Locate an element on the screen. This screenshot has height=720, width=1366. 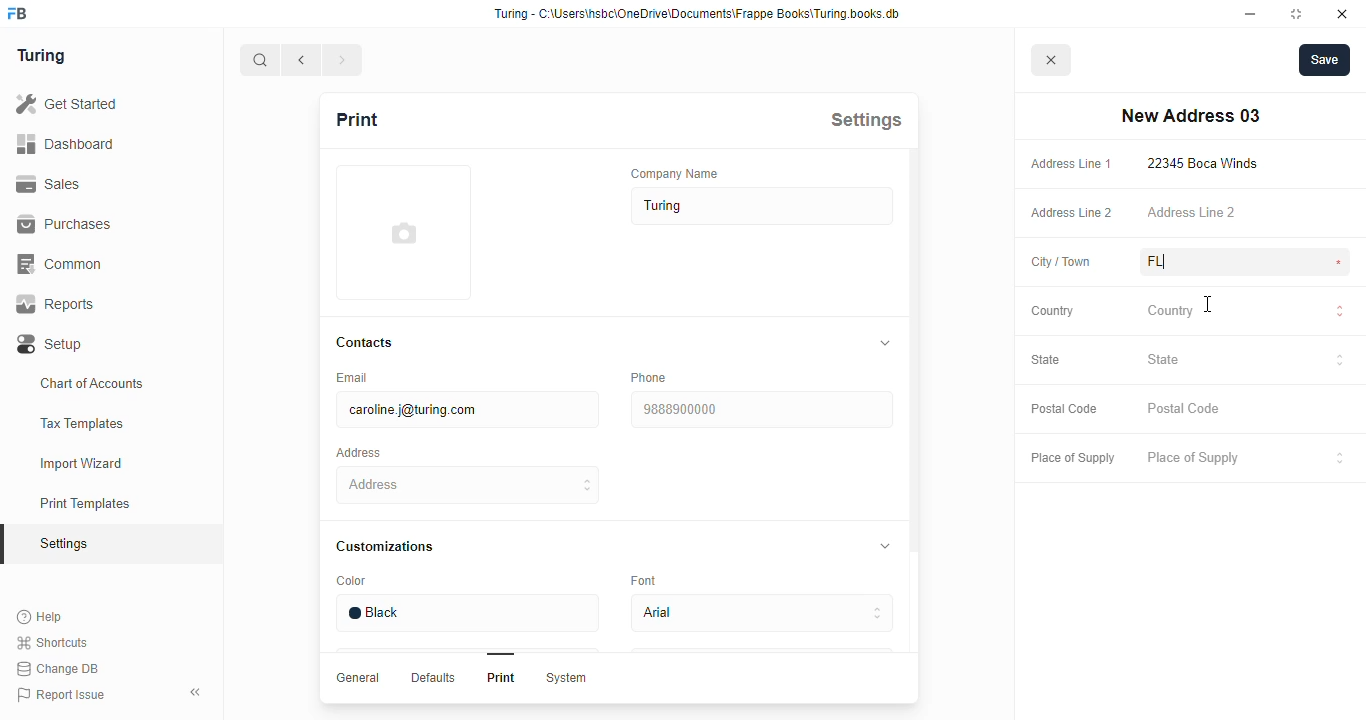
reports is located at coordinates (56, 304).